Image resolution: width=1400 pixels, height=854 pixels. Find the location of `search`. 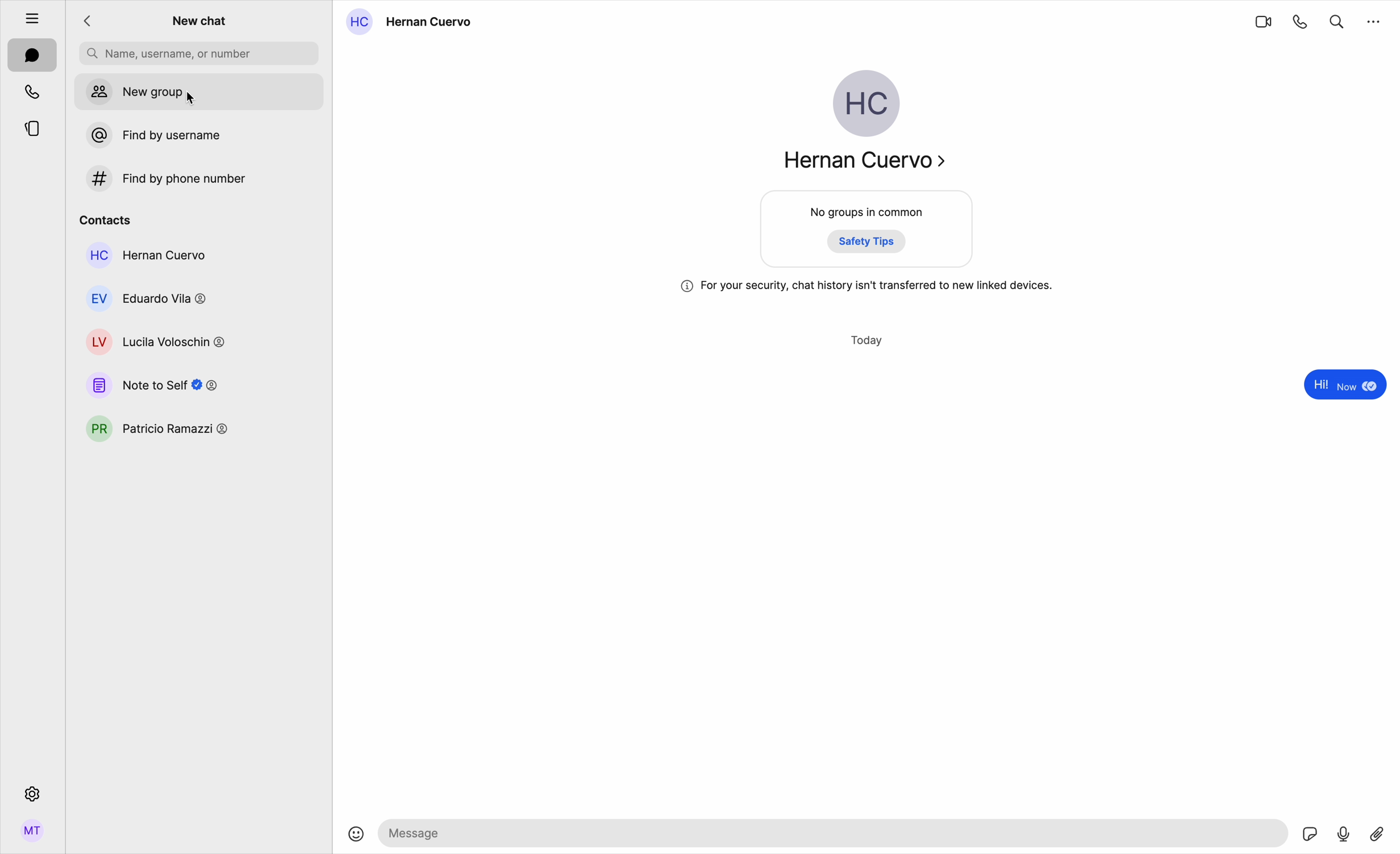

search is located at coordinates (1337, 19).